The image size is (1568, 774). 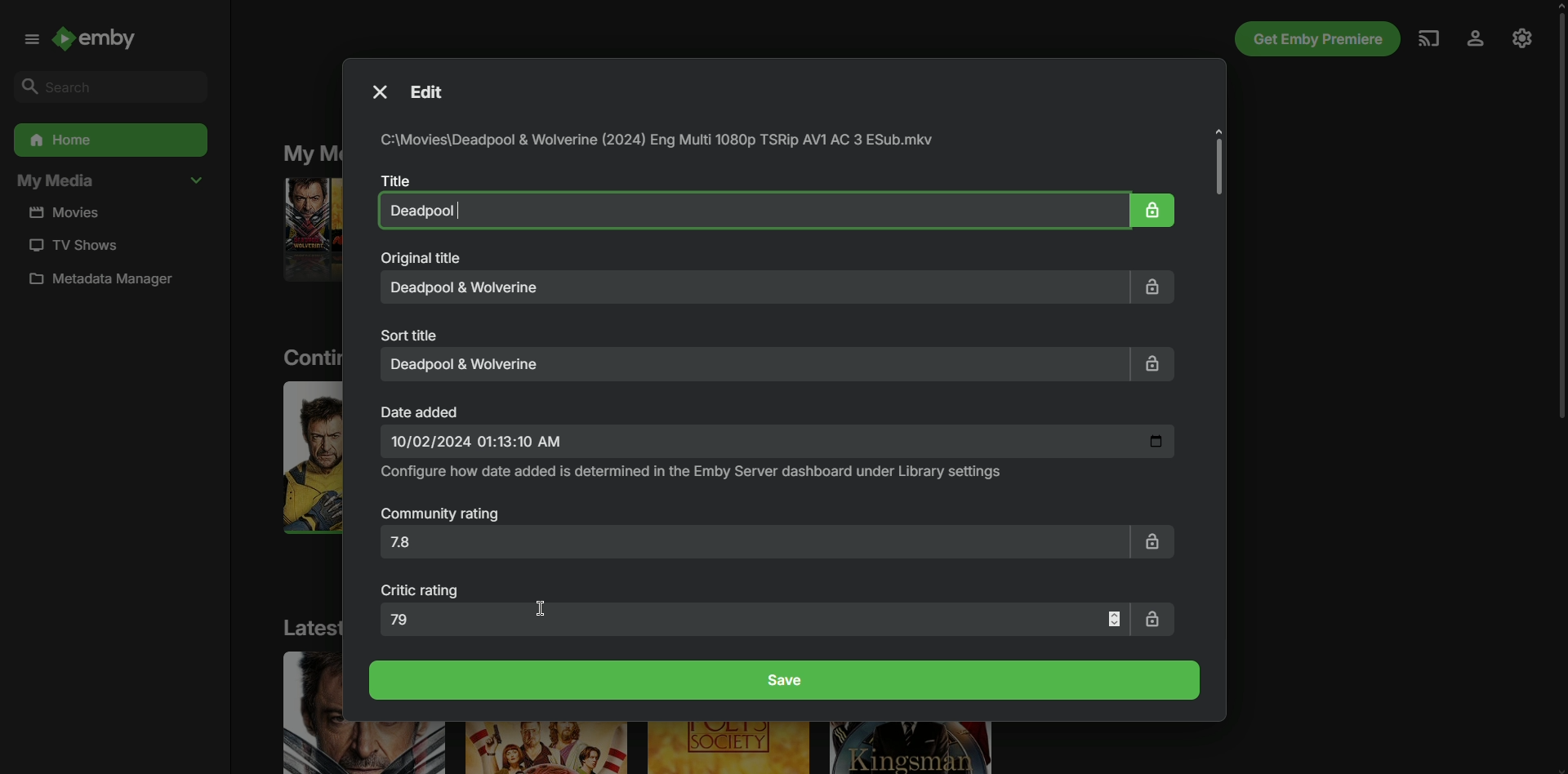 What do you see at coordinates (377, 91) in the screenshot?
I see `Close` at bounding box center [377, 91].